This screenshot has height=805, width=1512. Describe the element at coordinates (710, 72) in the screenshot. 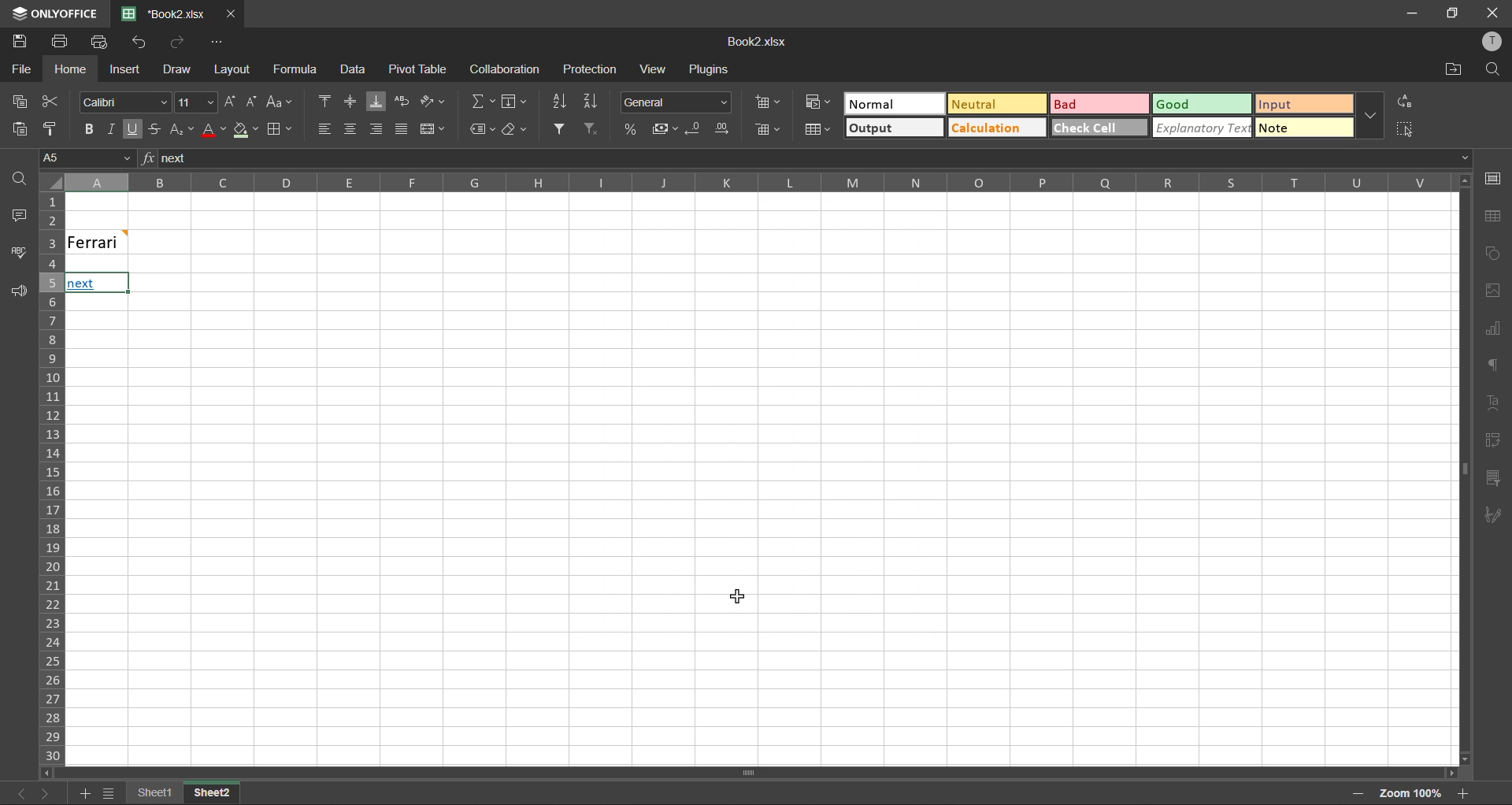

I see `plugins` at that location.